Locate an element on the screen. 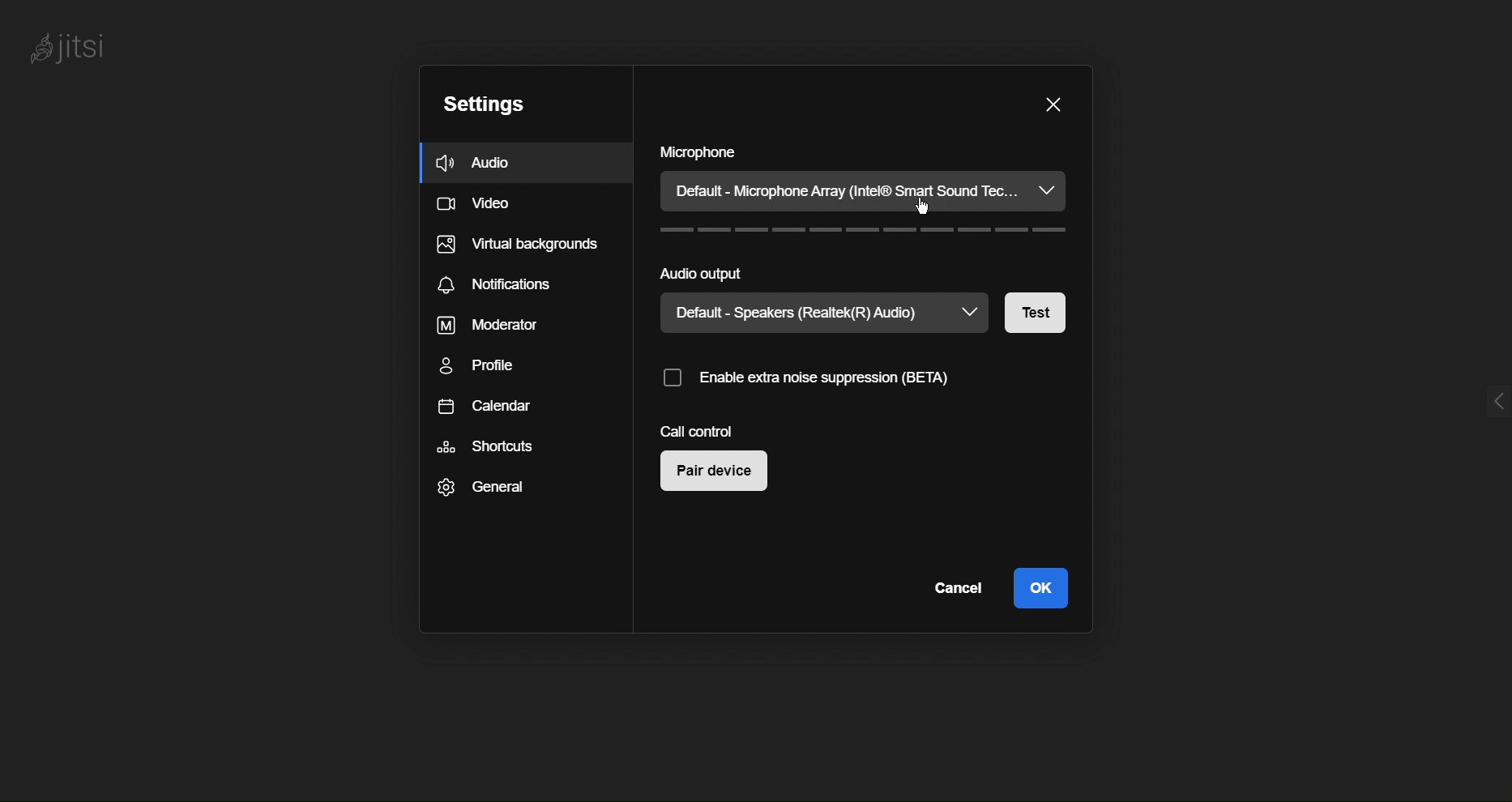 The width and height of the screenshot is (1512, 802). Settings is located at coordinates (482, 104).